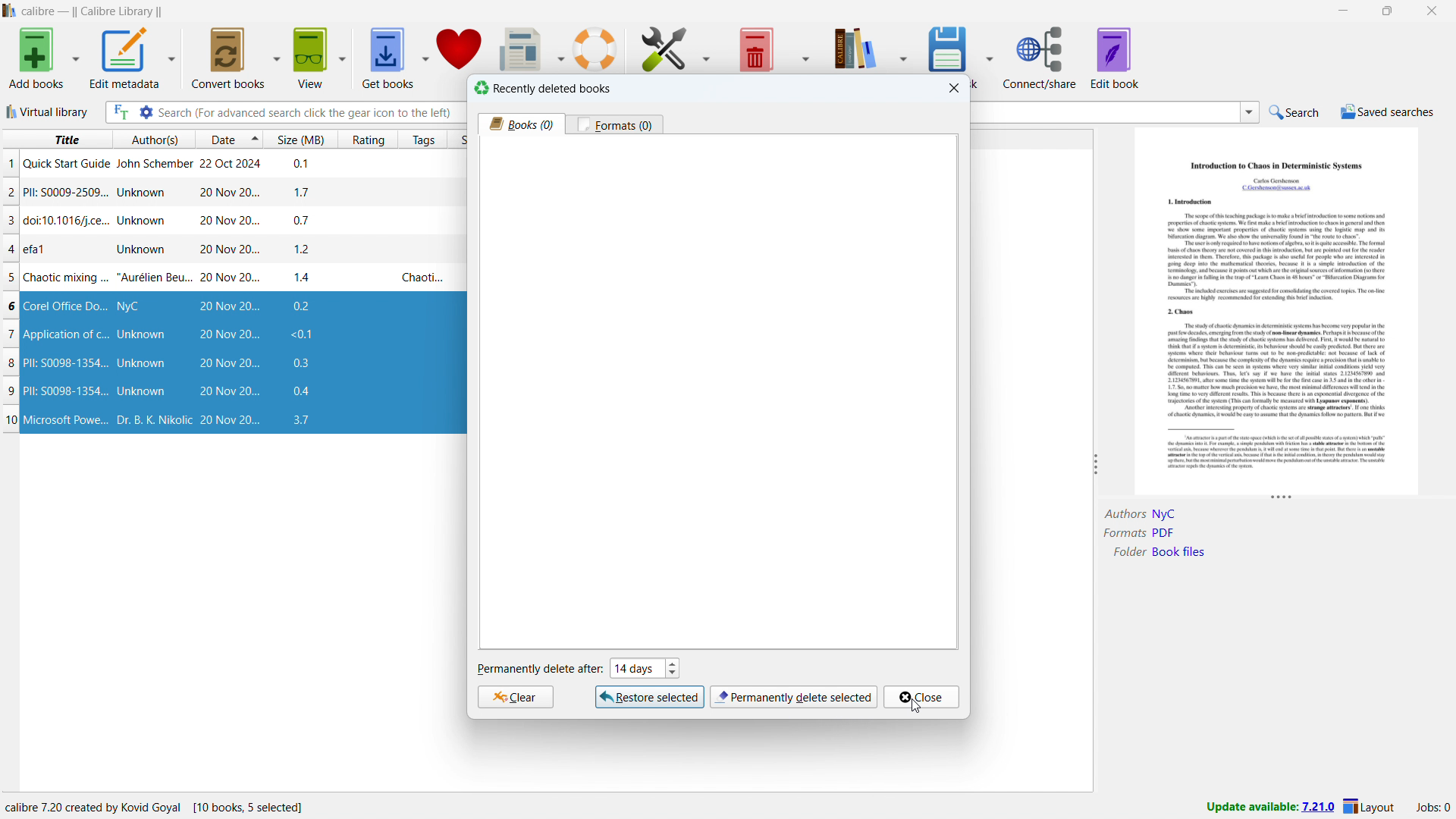 The width and height of the screenshot is (1456, 819). What do you see at coordinates (93, 11) in the screenshot?
I see `title` at bounding box center [93, 11].